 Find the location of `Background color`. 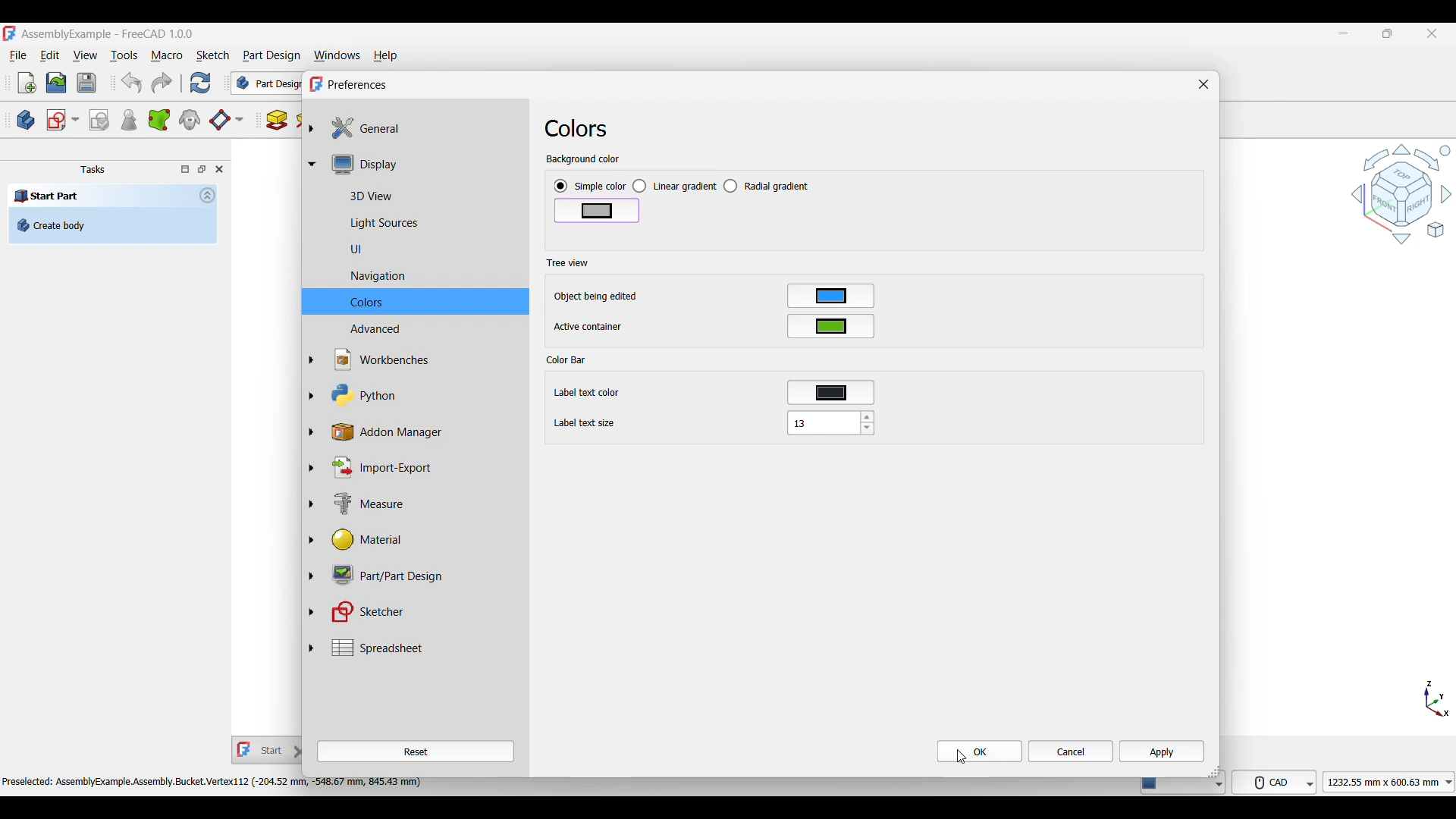

Background color is located at coordinates (583, 160).